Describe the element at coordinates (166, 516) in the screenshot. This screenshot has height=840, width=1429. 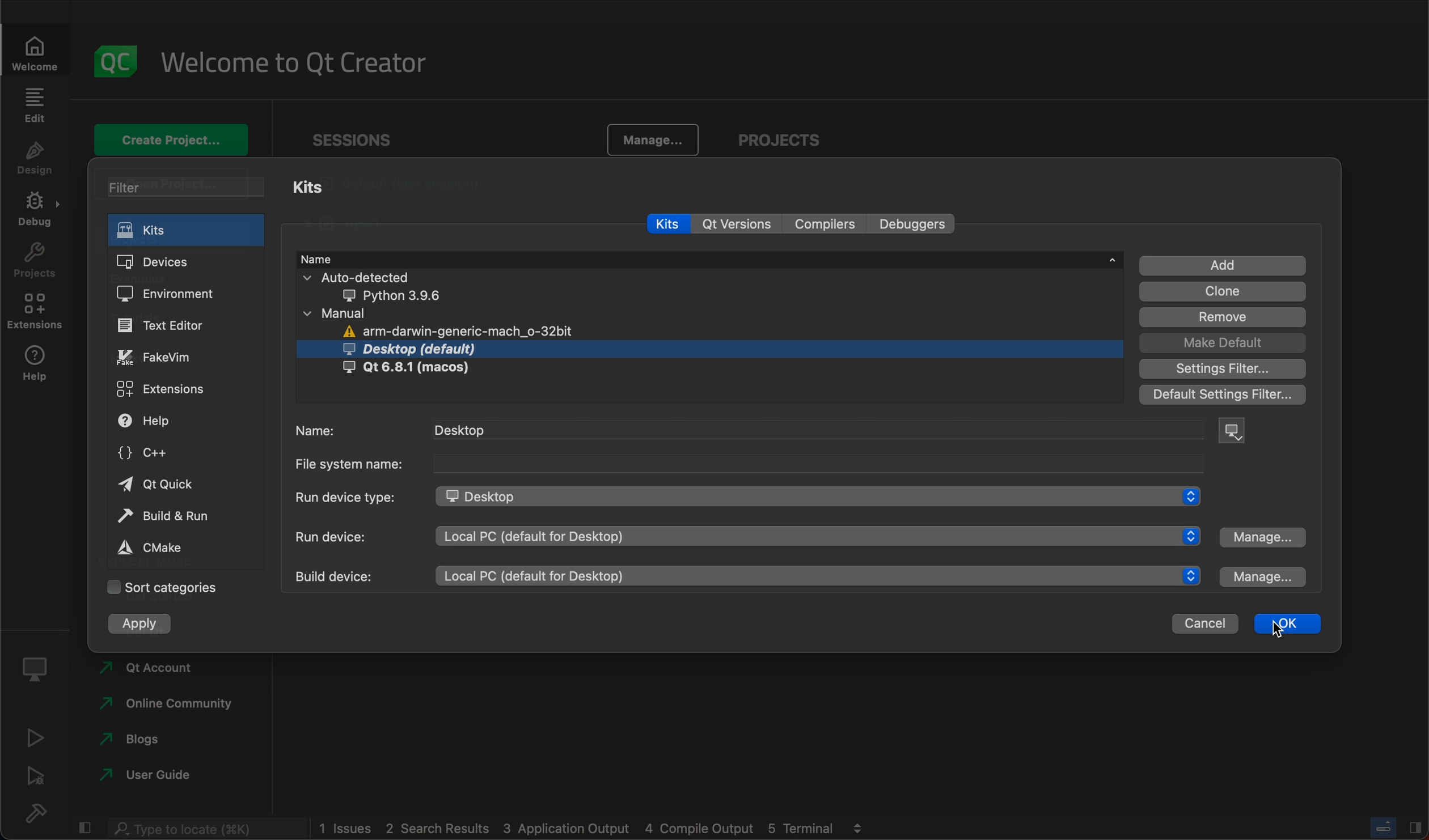
I see `build and run` at that location.